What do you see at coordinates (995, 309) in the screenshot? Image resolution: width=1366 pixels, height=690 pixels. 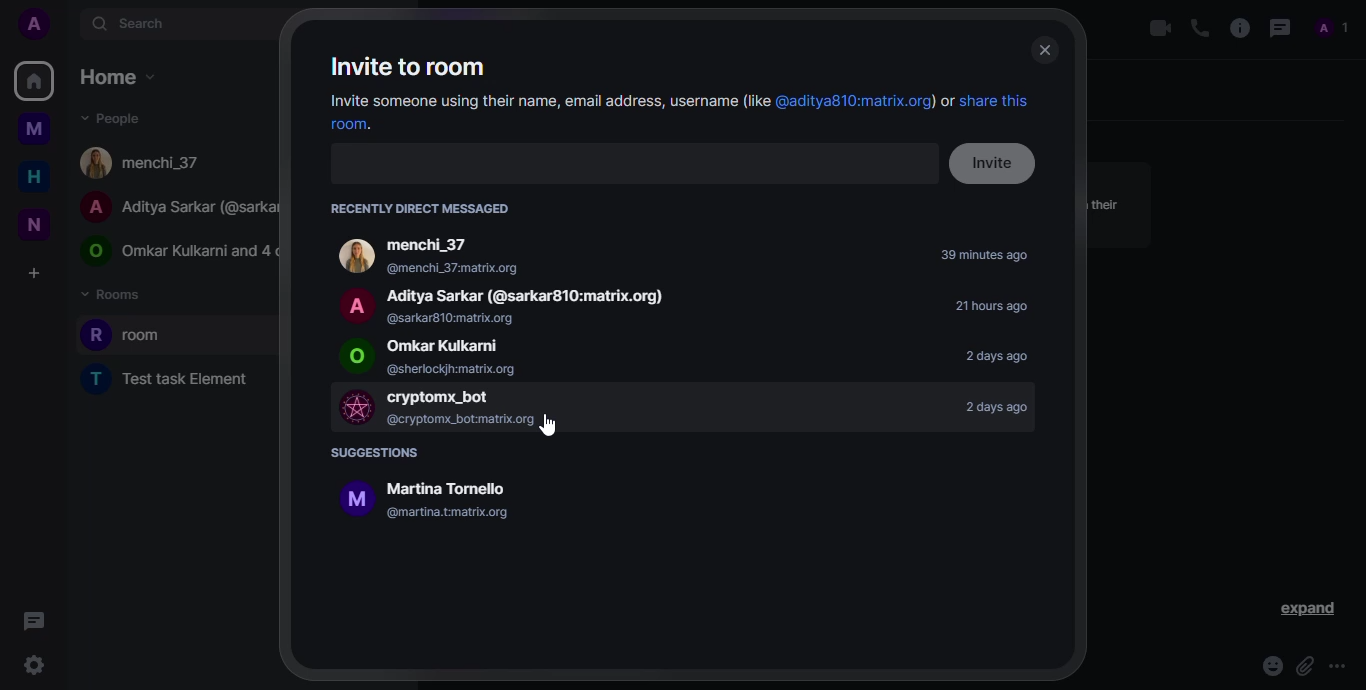 I see `21 hours ago` at bounding box center [995, 309].